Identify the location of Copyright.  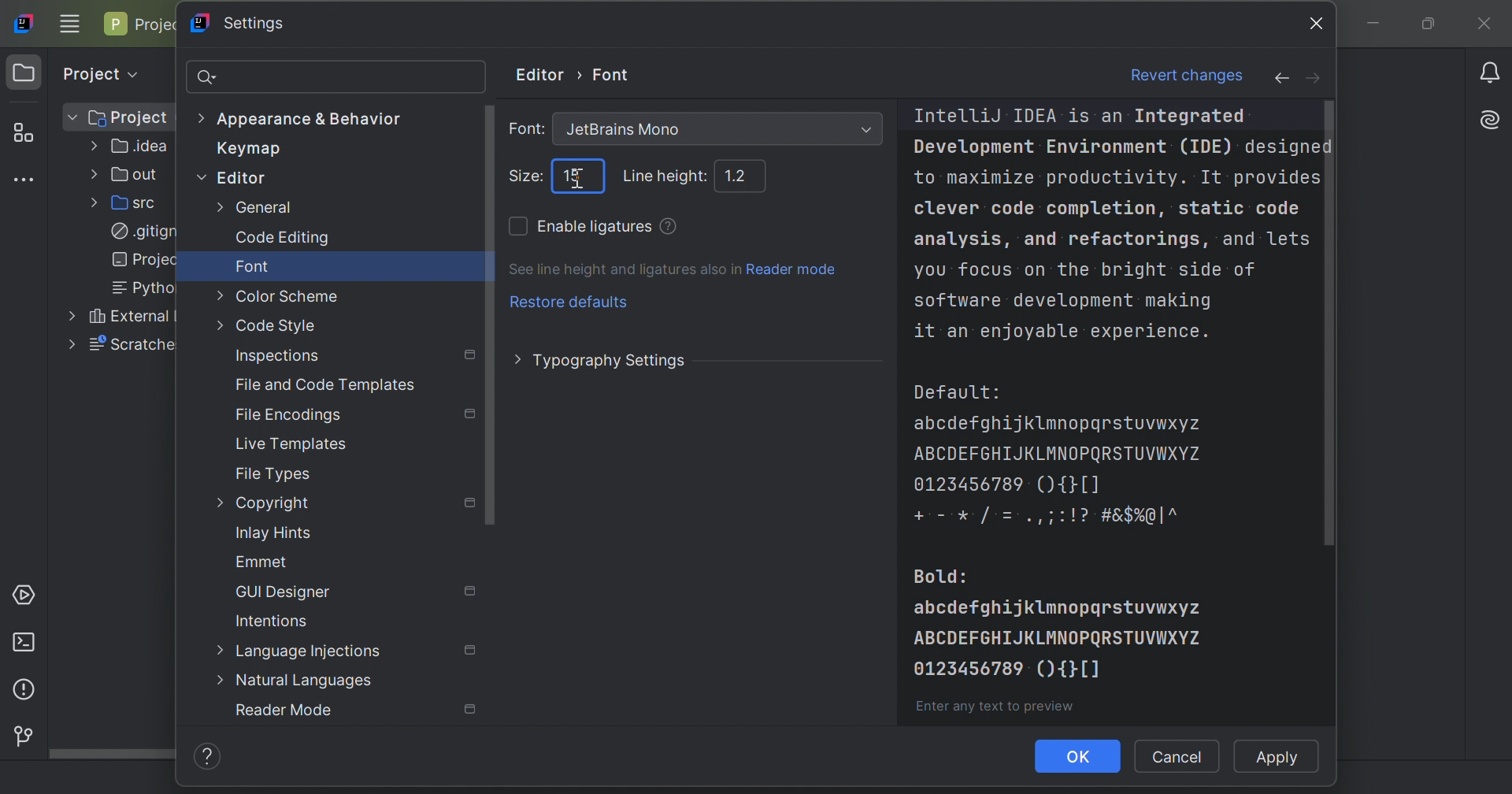
(265, 504).